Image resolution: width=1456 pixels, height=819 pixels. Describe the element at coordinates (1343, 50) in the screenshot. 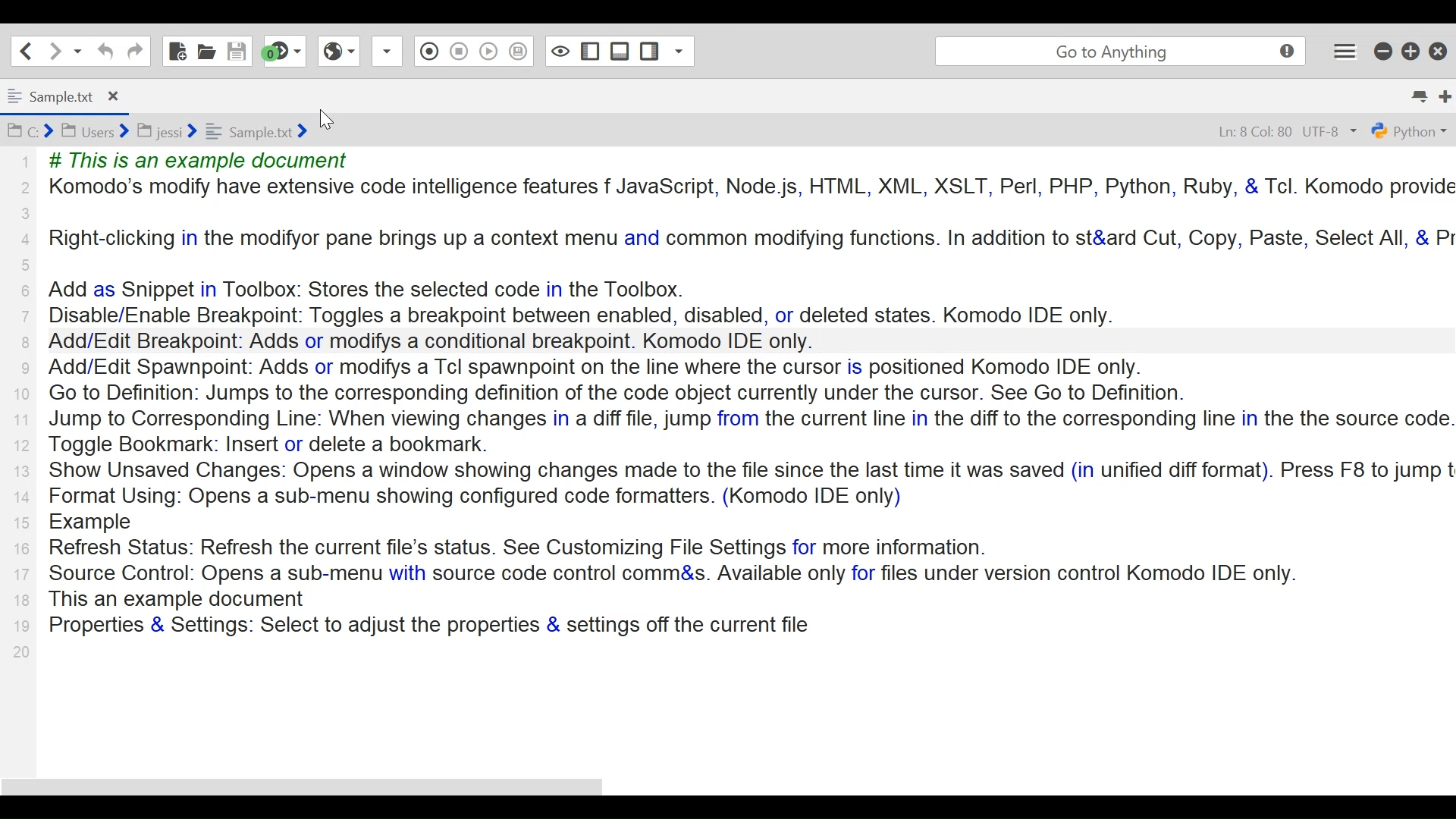

I see `Application menu` at that location.